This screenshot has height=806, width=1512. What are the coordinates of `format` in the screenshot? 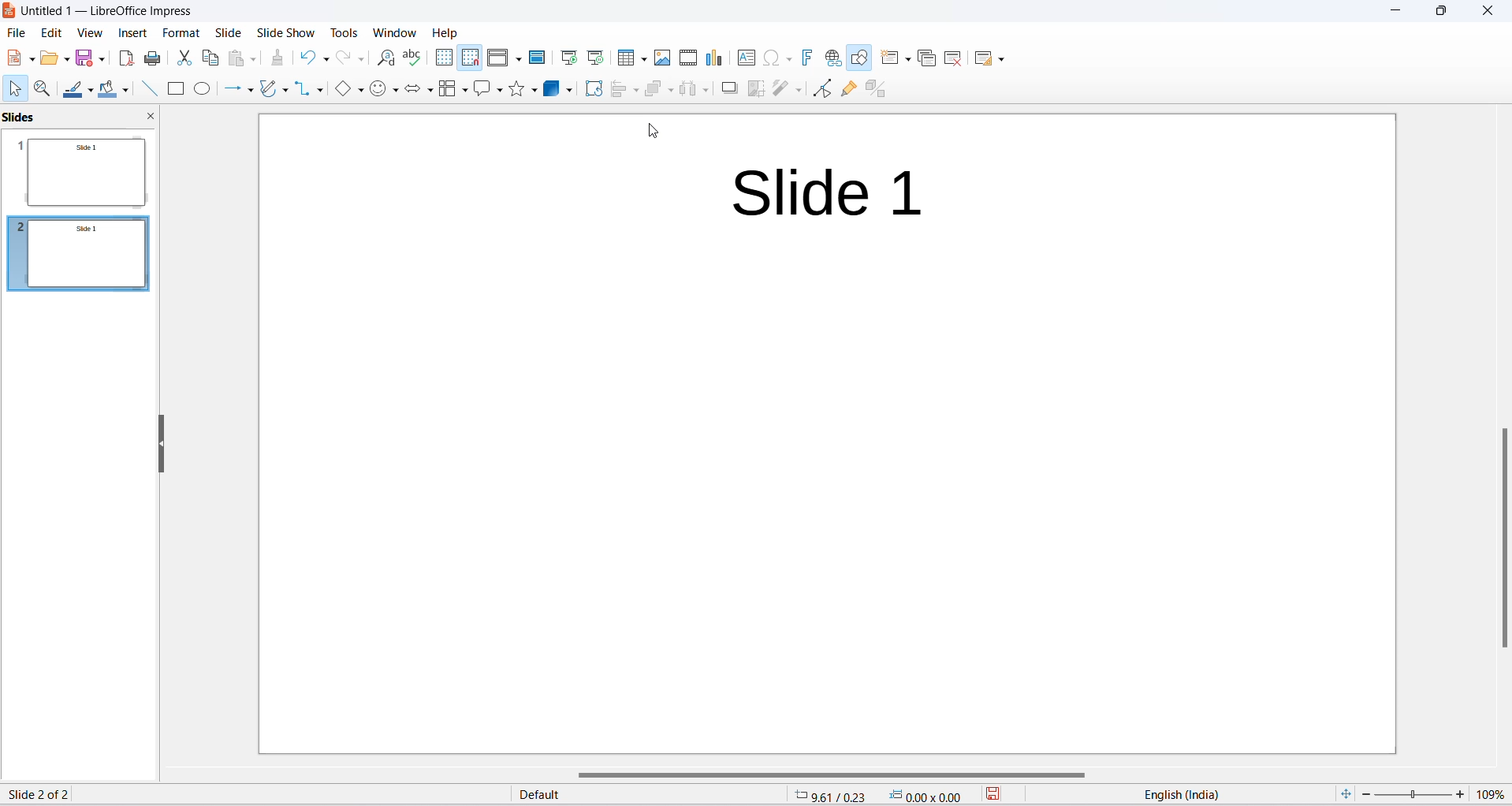 It's located at (179, 32).